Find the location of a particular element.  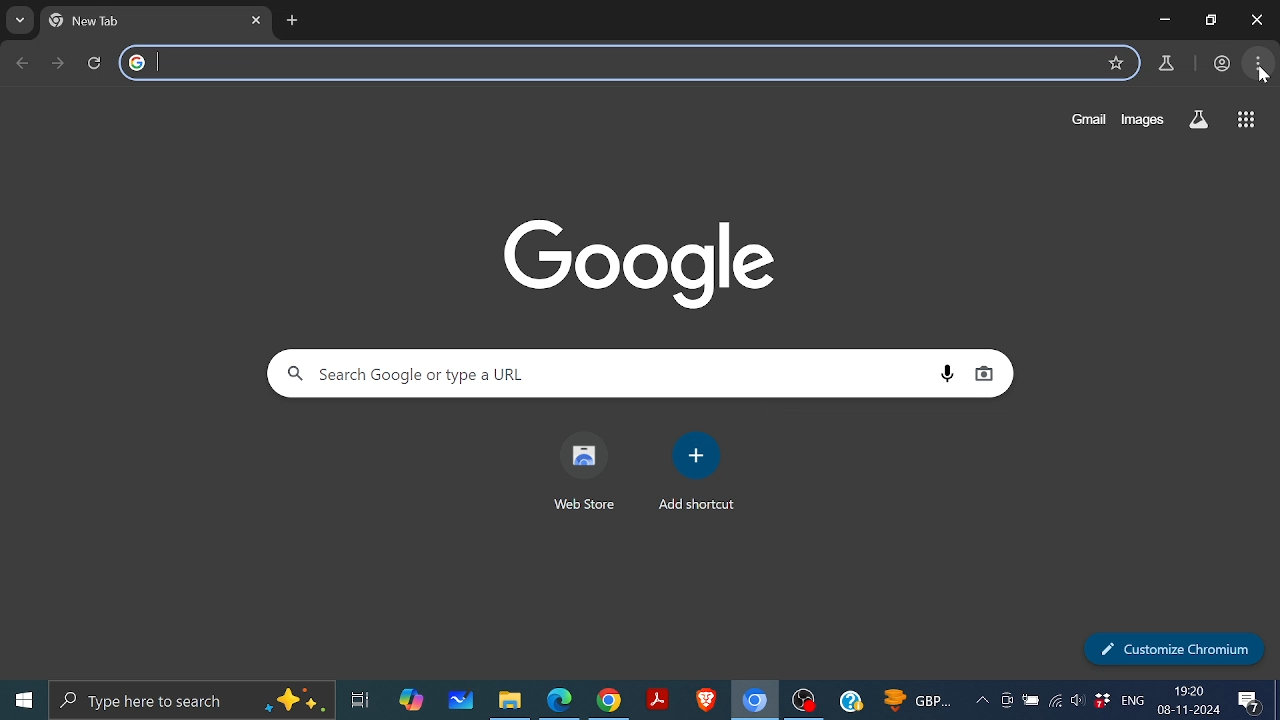

Close window is located at coordinates (1257, 20).